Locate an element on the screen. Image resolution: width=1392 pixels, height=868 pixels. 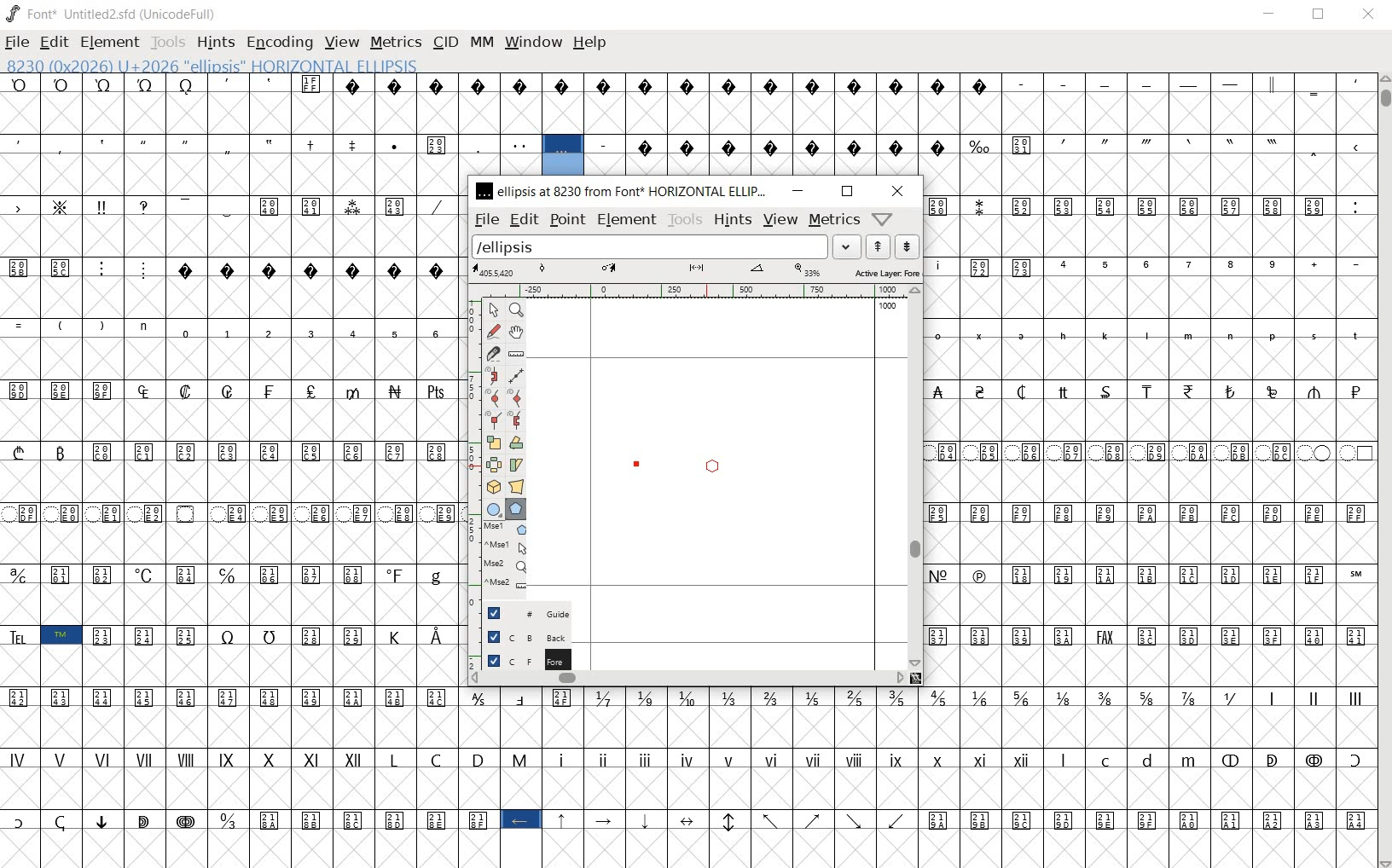
load word list is located at coordinates (666, 246).